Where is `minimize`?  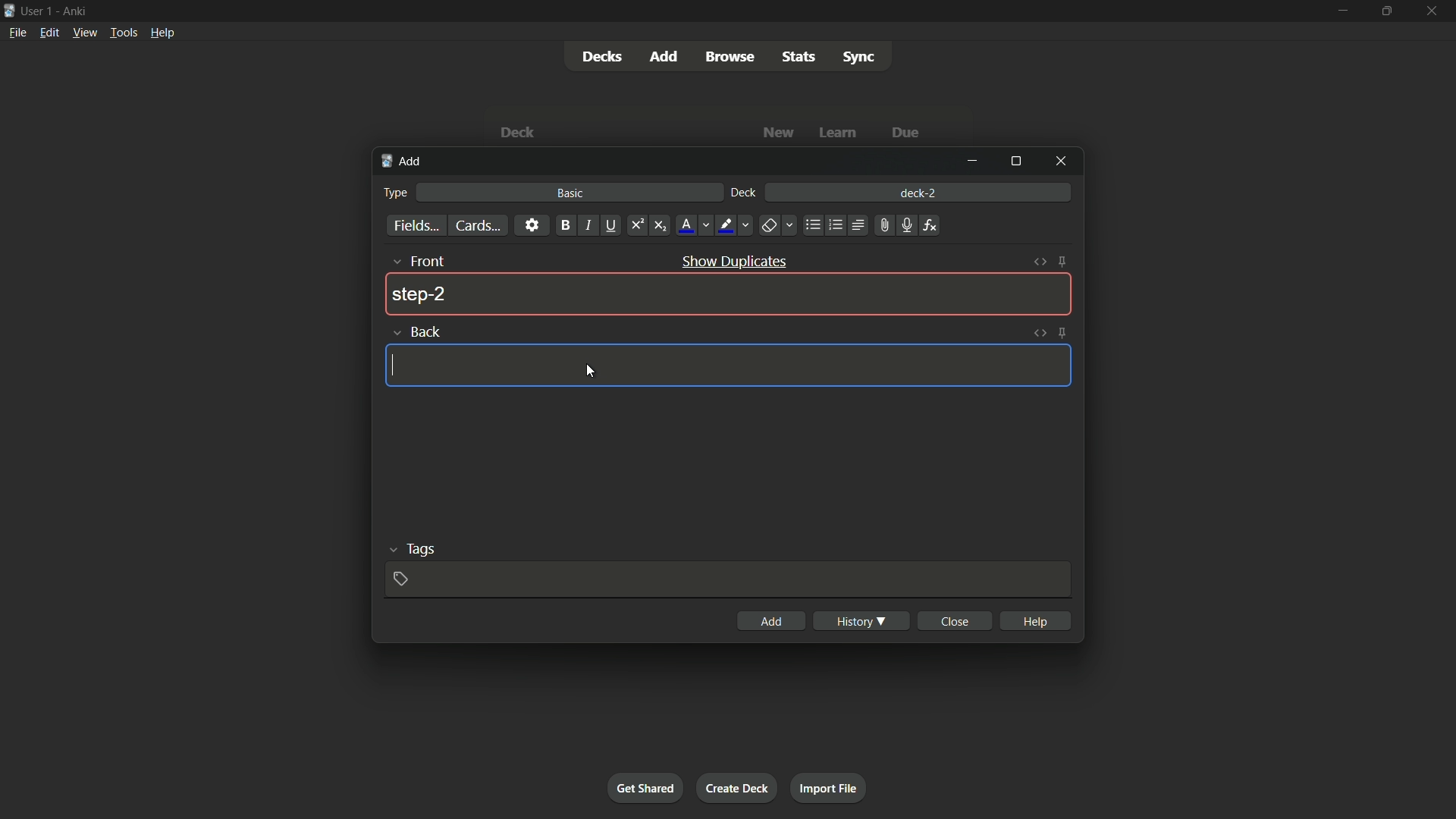
minimize is located at coordinates (1345, 10).